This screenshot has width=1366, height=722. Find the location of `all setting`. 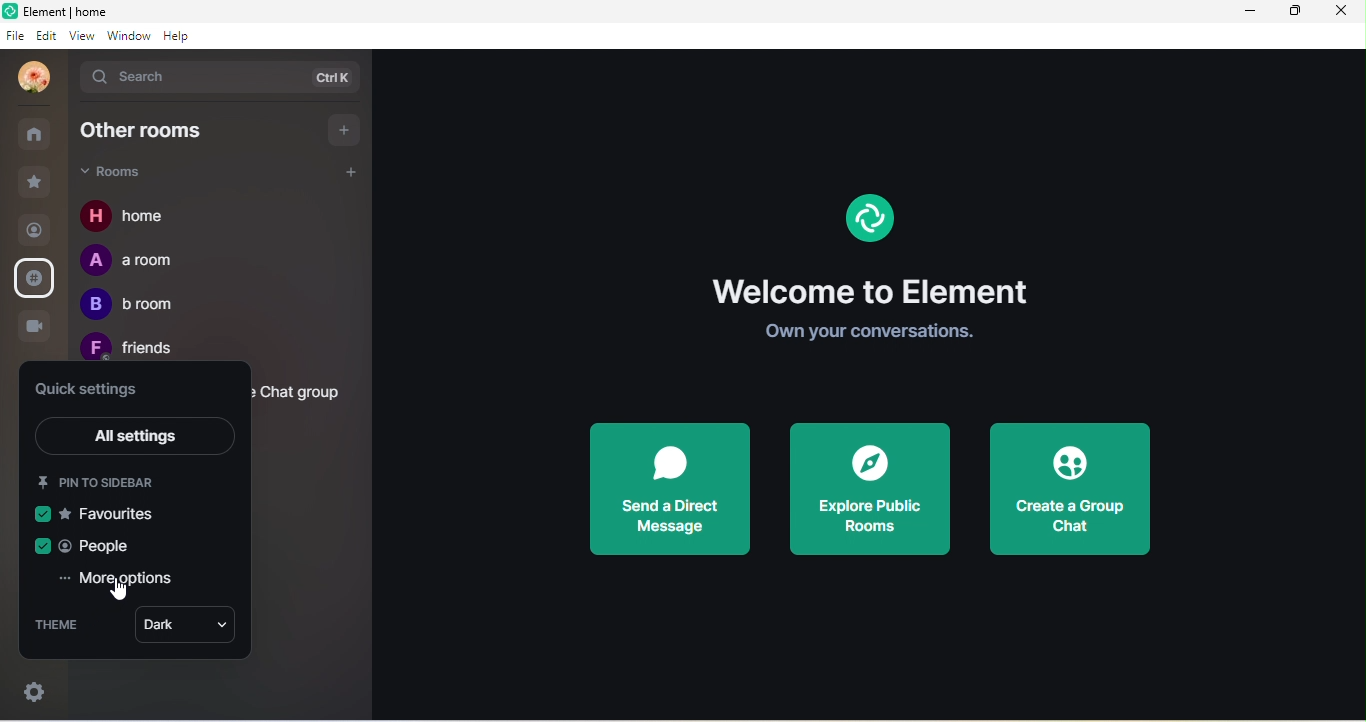

all setting is located at coordinates (137, 436).